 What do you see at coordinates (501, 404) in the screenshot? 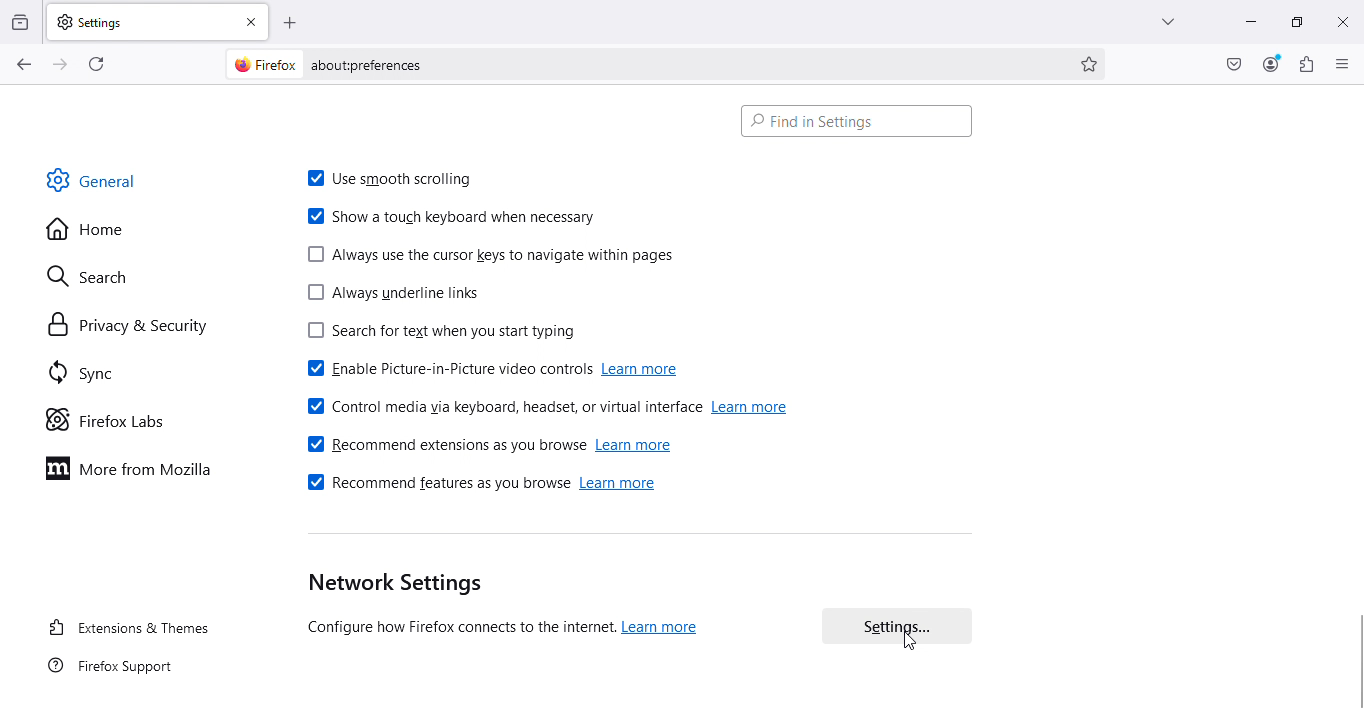
I see `Control media via keyboard, headset or virtual interface` at bounding box center [501, 404].